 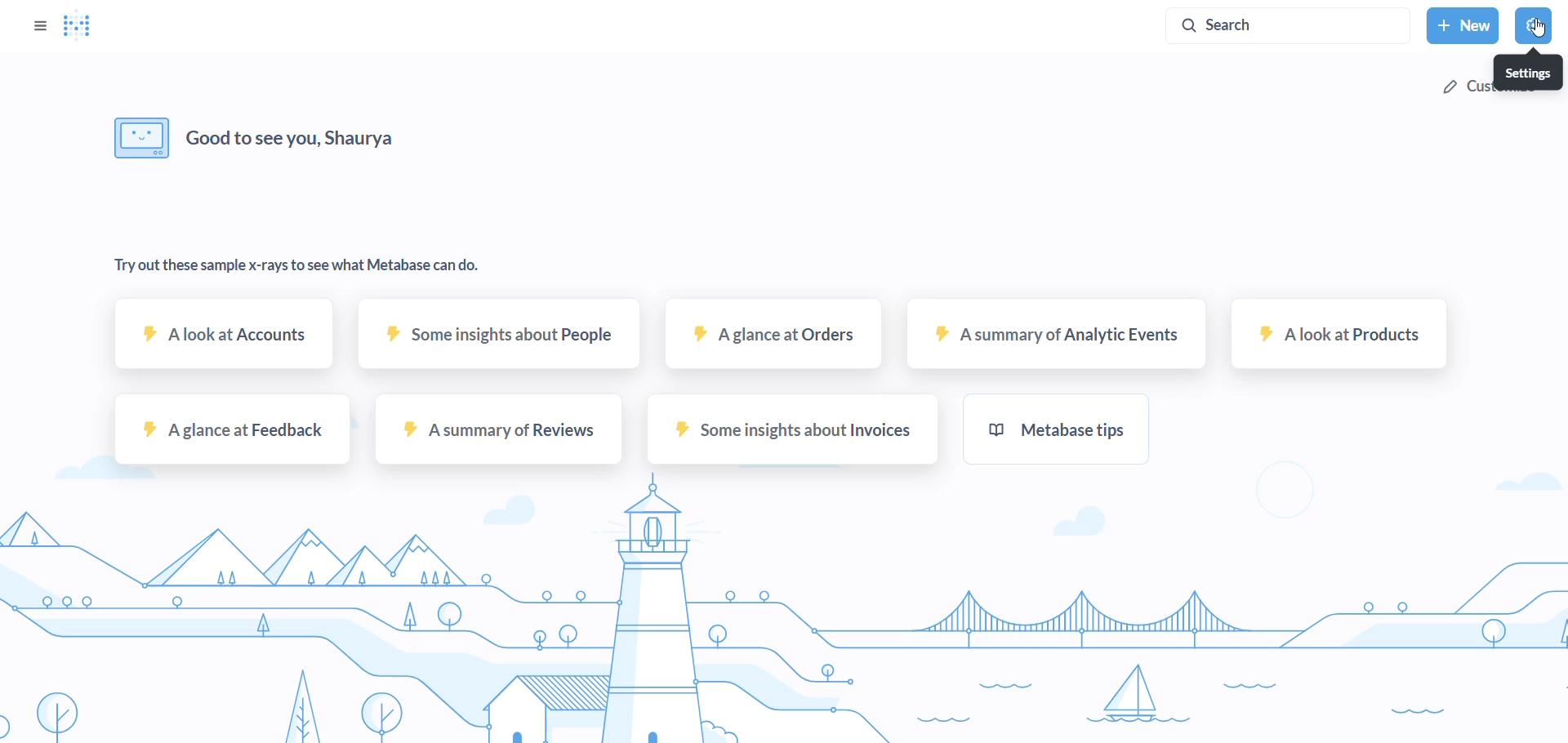 What do you see at coordinates (299, 268) in the screenshot?
I see `Try out these sample x-rays to see what Metabase can do.` at bounding box center [299, 268].